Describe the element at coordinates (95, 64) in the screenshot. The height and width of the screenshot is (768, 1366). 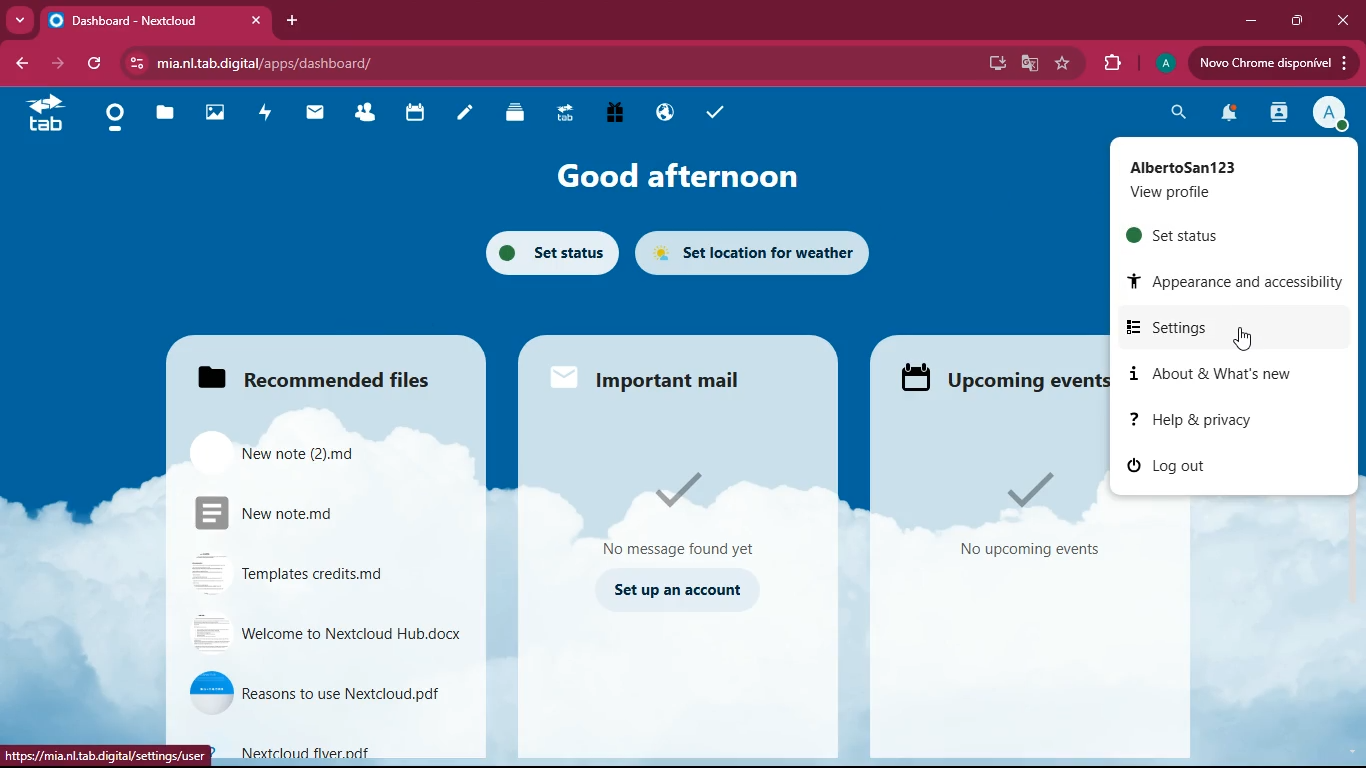
I see `refresh` at that location.